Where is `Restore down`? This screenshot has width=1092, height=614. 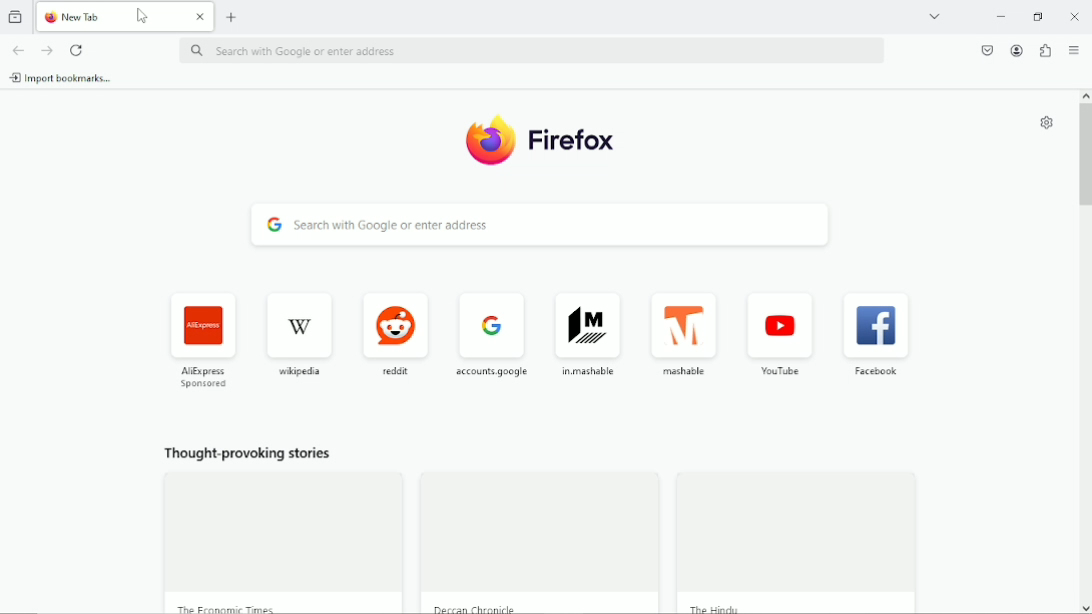
Restore down is located at coordinates (1039, 18).